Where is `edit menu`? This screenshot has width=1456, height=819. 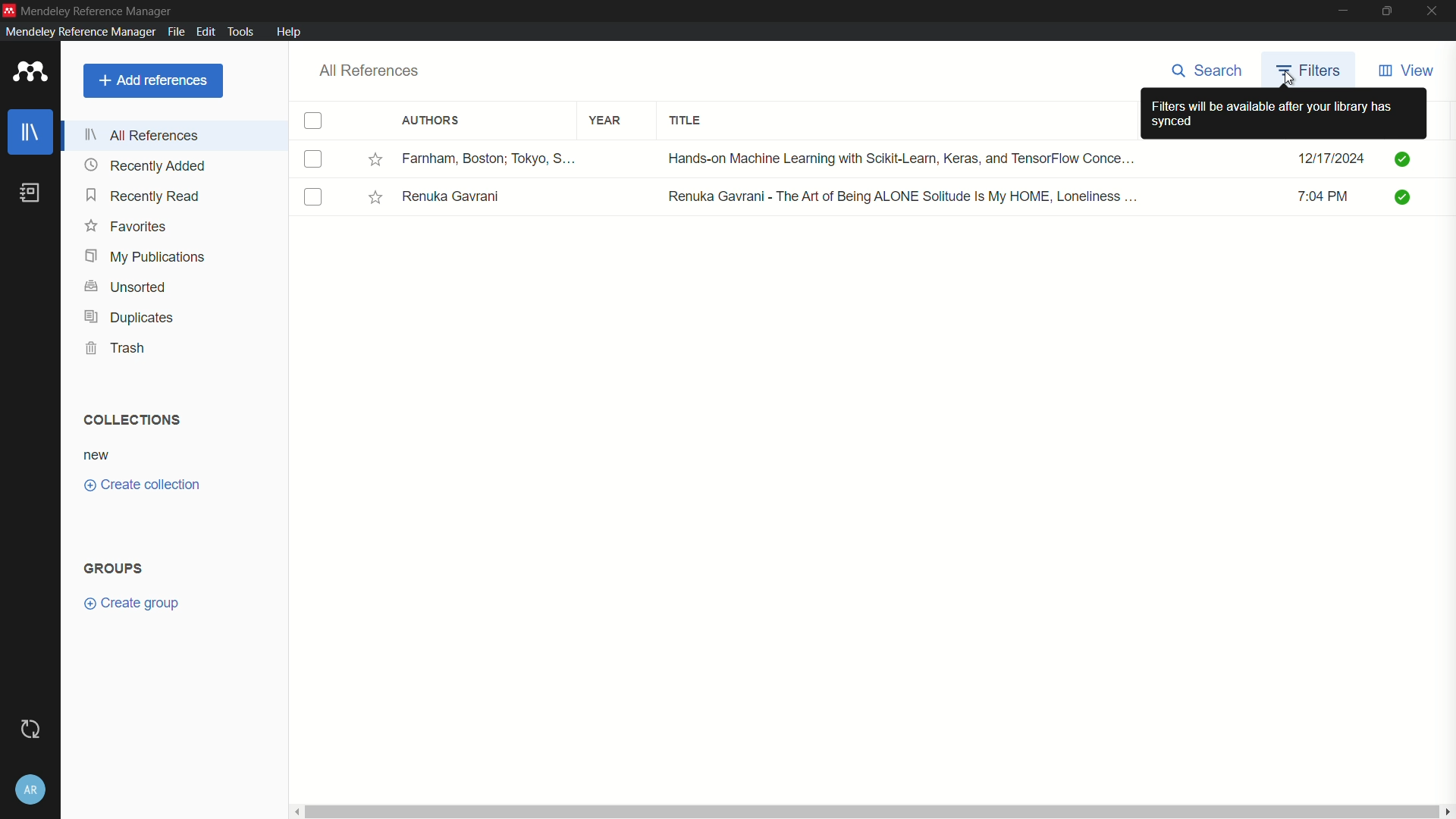
edit menu is located at coordinates (206, 33).